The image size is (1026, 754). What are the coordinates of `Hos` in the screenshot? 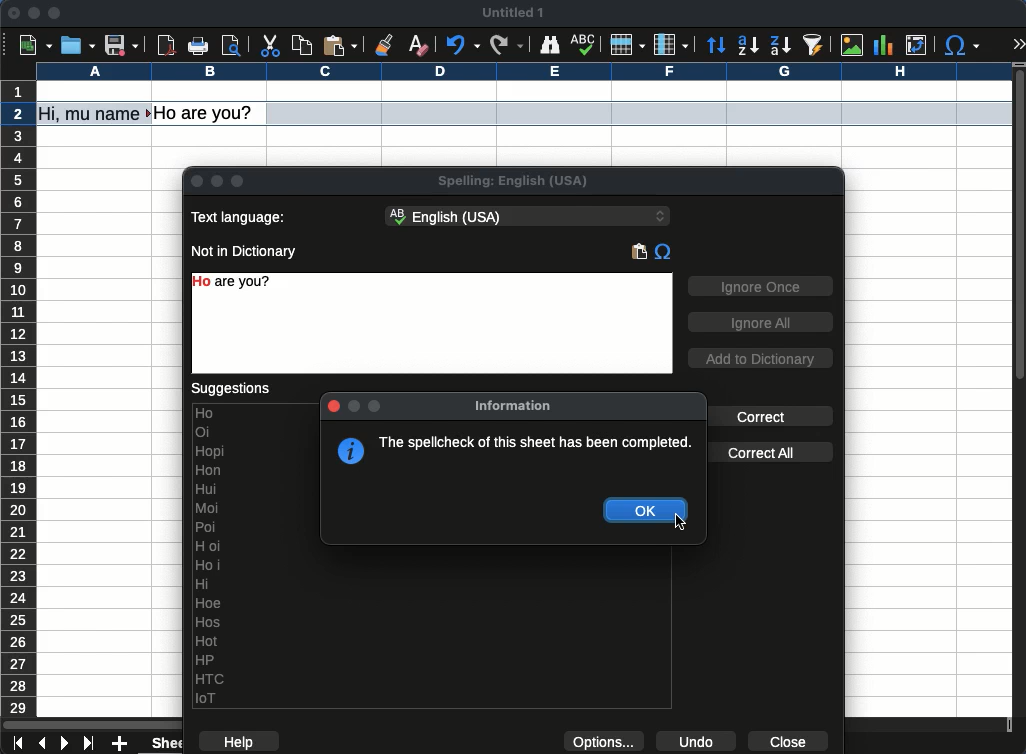 It's located at (208, 623).